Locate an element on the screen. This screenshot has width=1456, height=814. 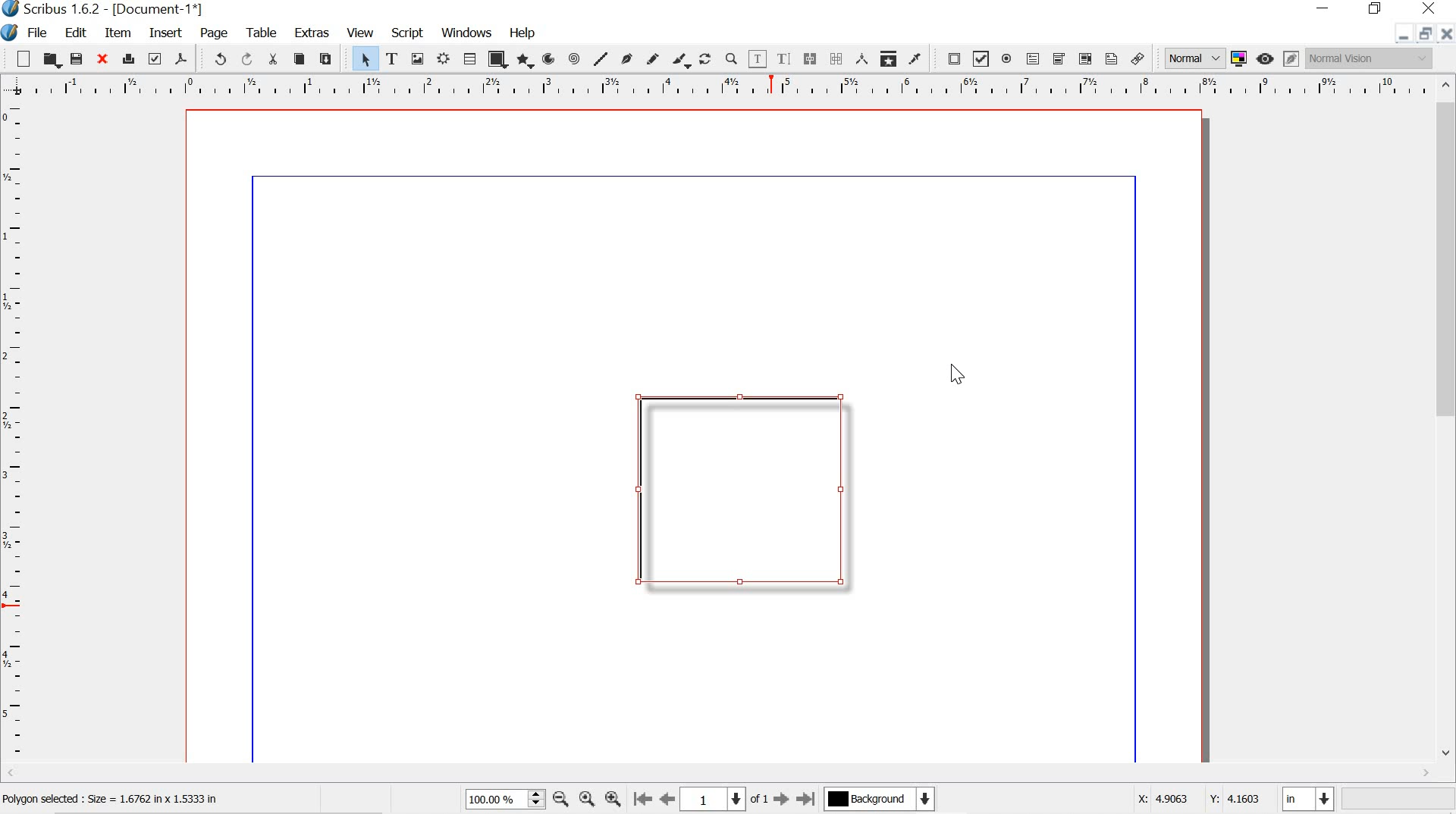
TABLE is located at coordinates (260, 31).